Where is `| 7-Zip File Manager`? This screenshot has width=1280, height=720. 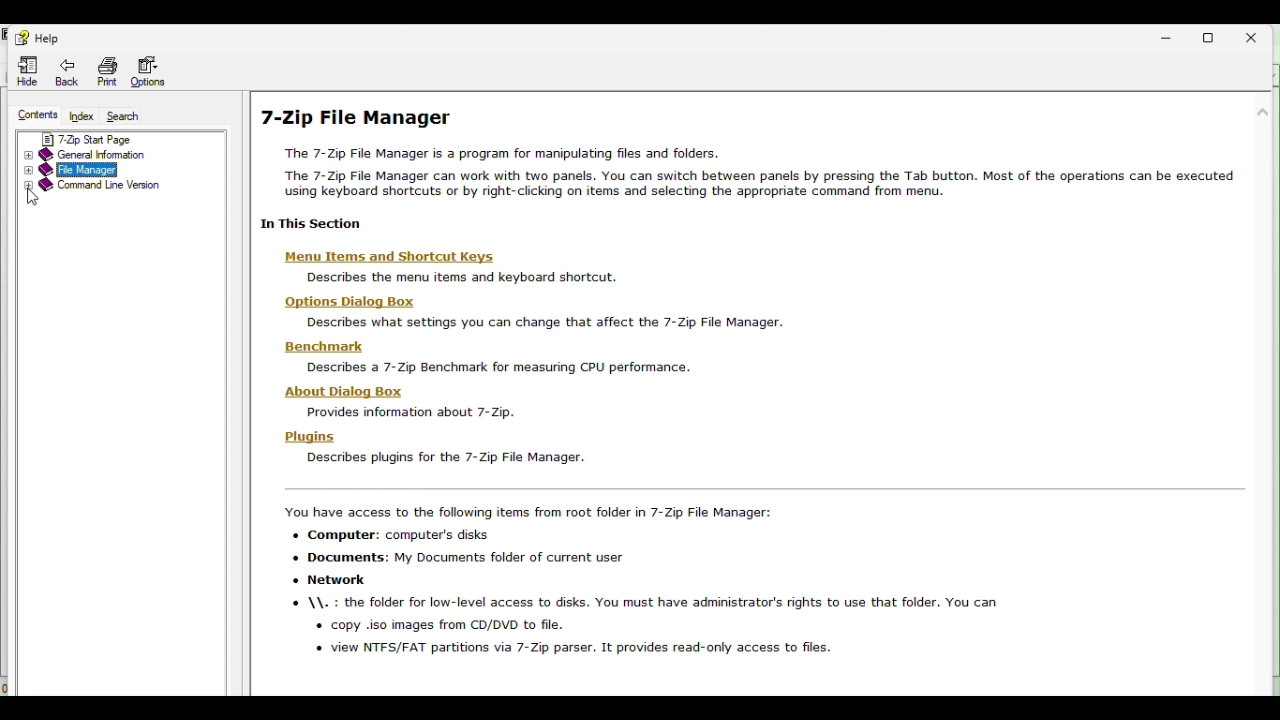
| 7-Zip File Manager is located at coordinates (385, 118).